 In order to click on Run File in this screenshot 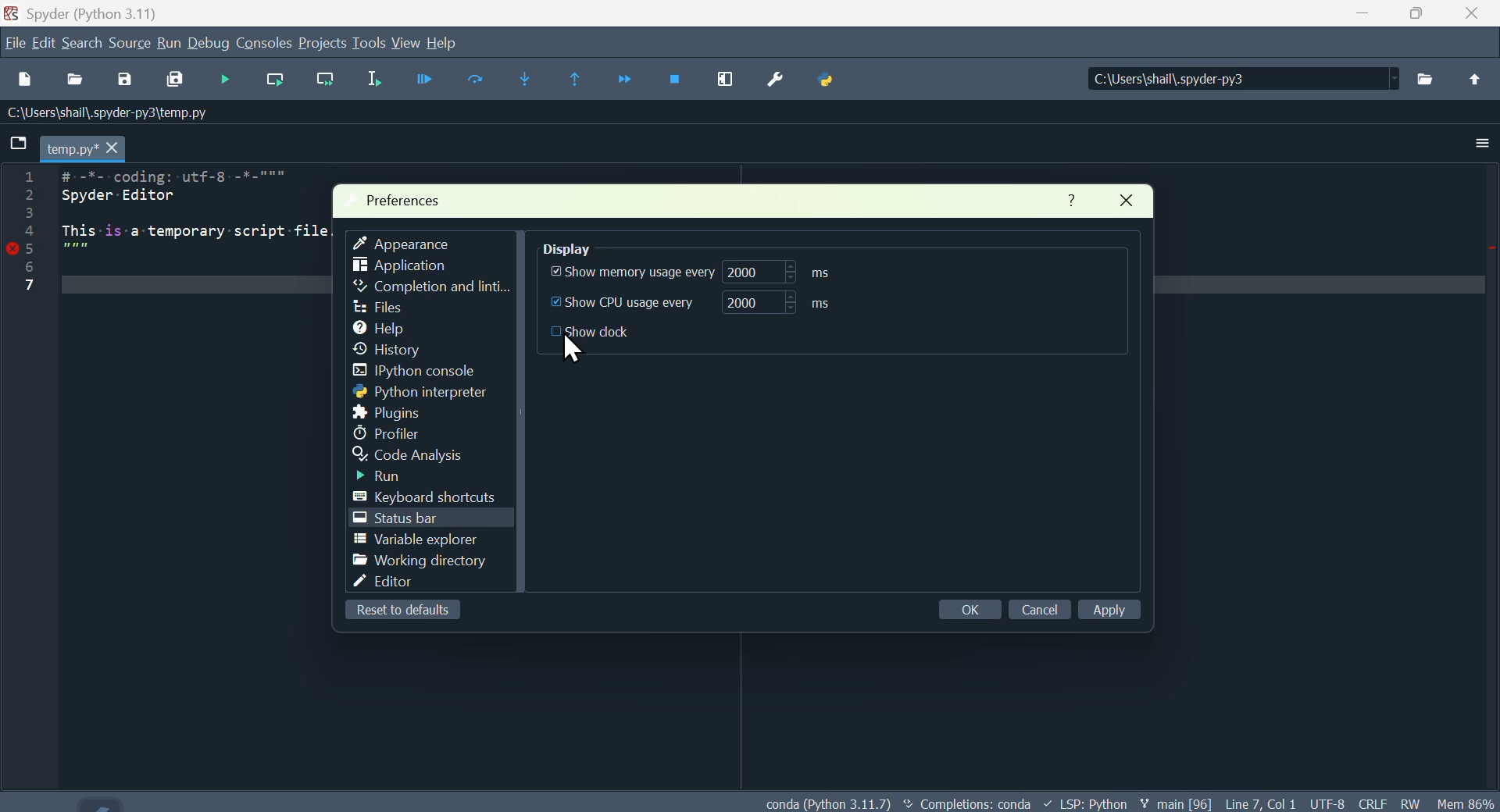, I will do `click(414, 77)`.